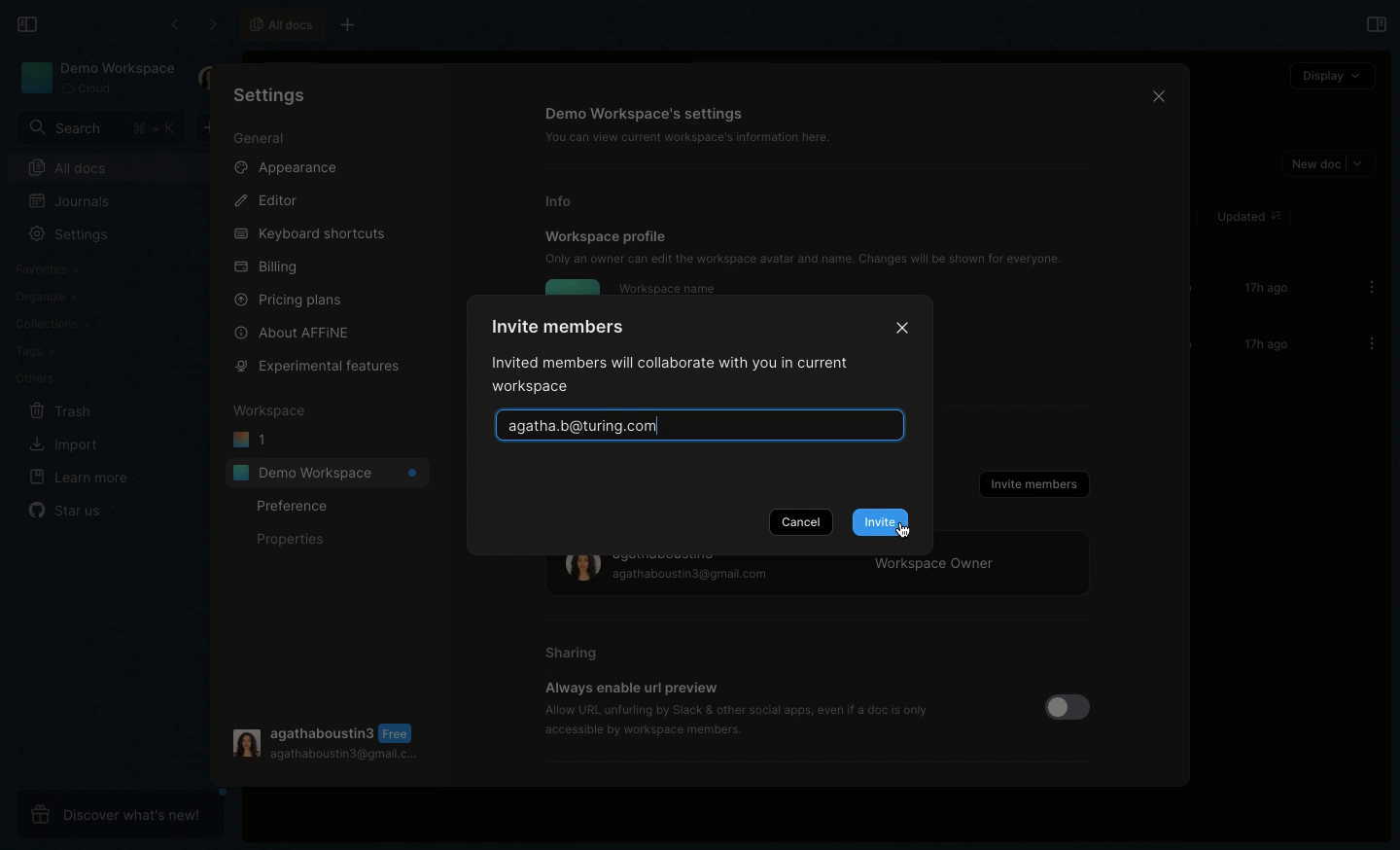 Image resolution: width=1400 pixels, height=850 pixels. What do you see at coordinates (72, 510) in the screenshot?
I see `Star us` at bounding box center [72, 510].